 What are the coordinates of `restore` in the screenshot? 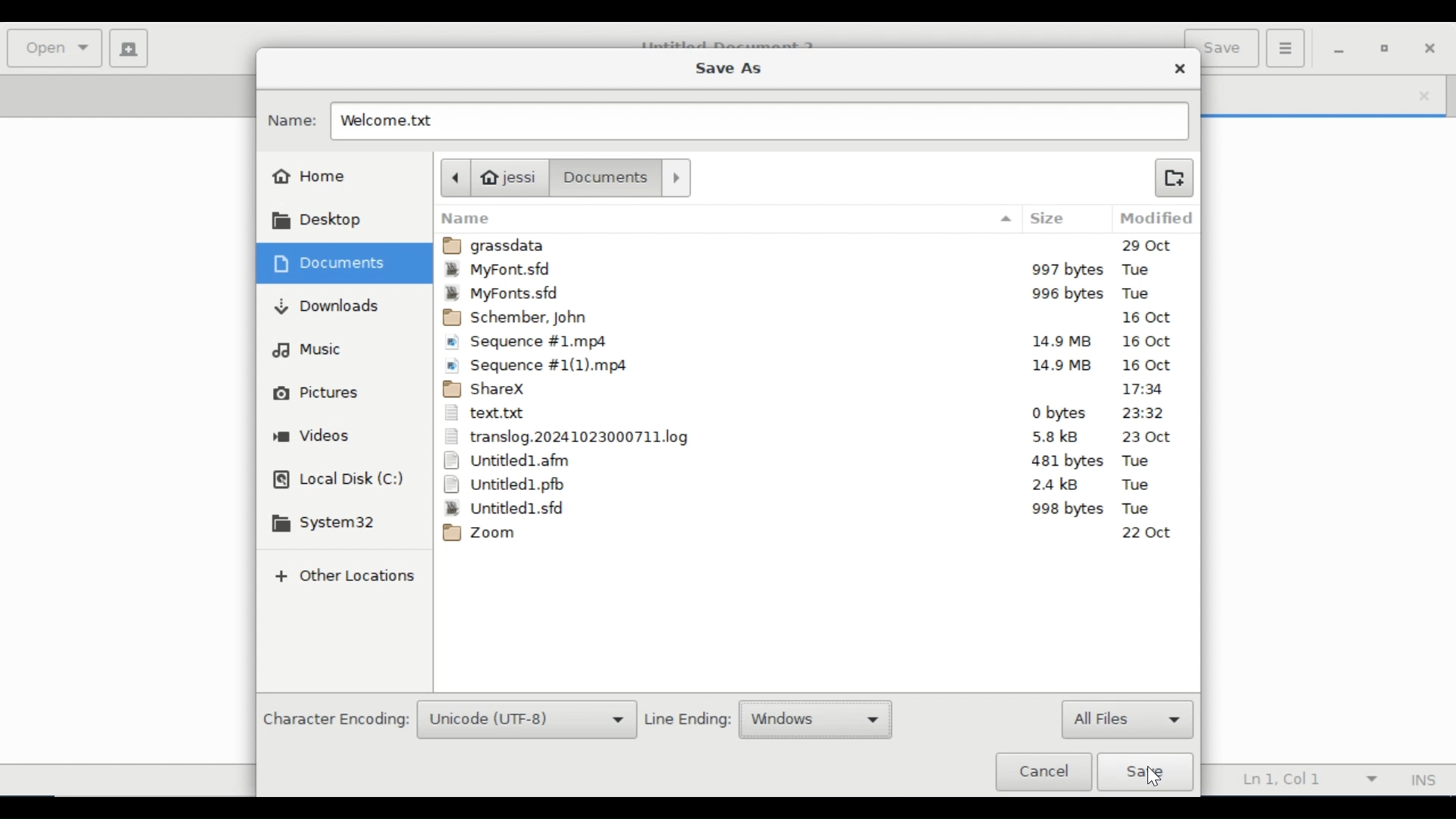 It's located at (1386, 49).